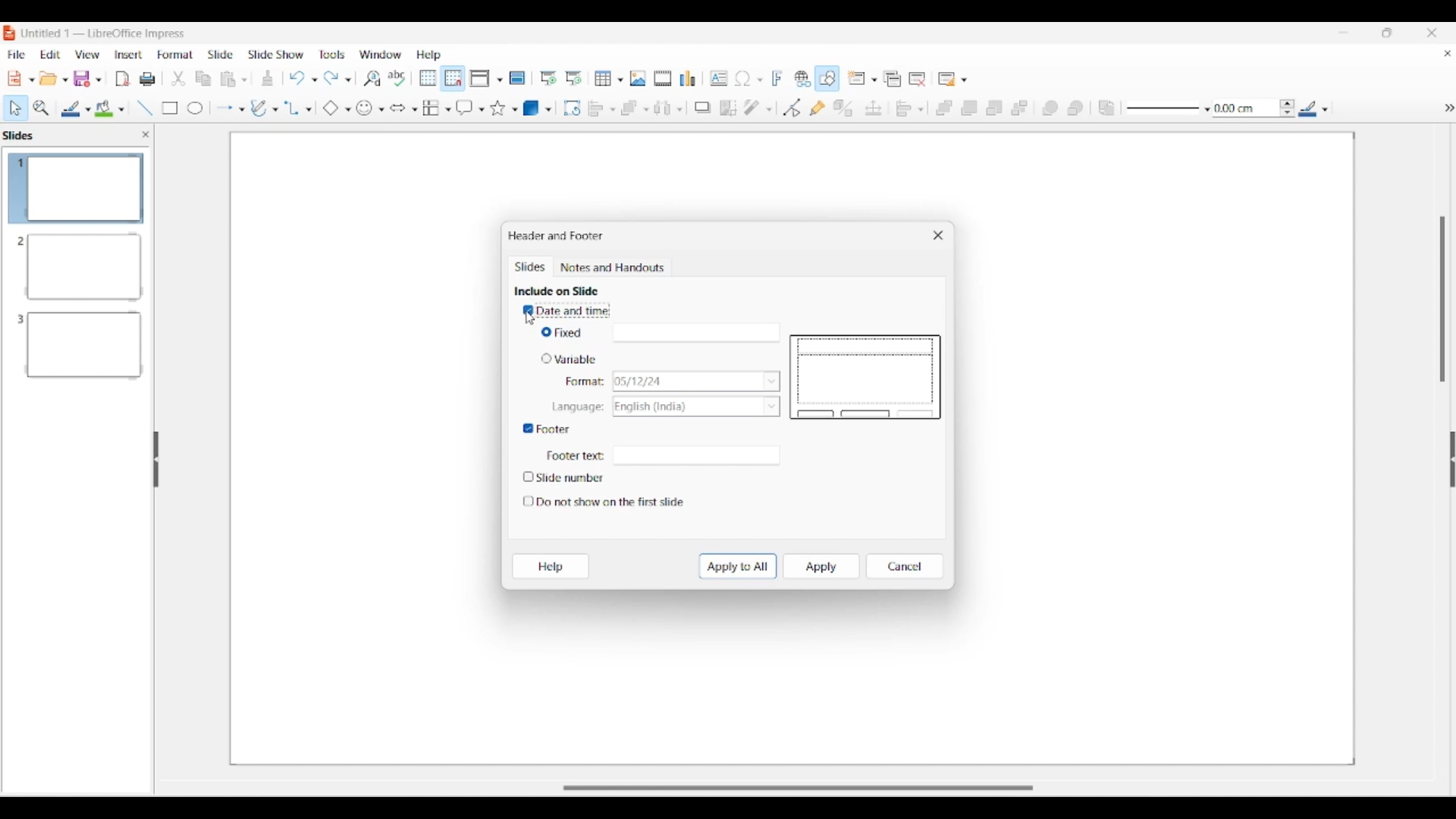 The width and height of the screenshot is (1456, 819). I want to click on Software and project name, so click(105, 34).